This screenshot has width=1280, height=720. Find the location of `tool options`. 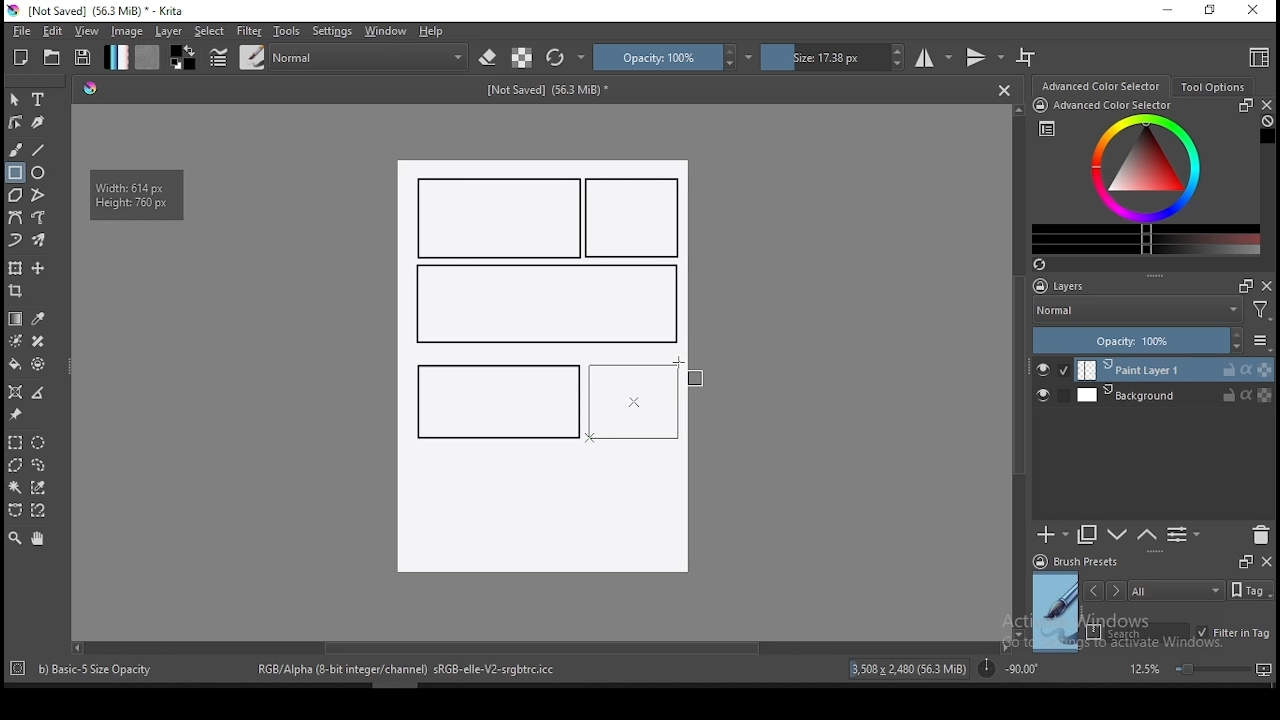

tool options is located at coordinates (1214, 87).